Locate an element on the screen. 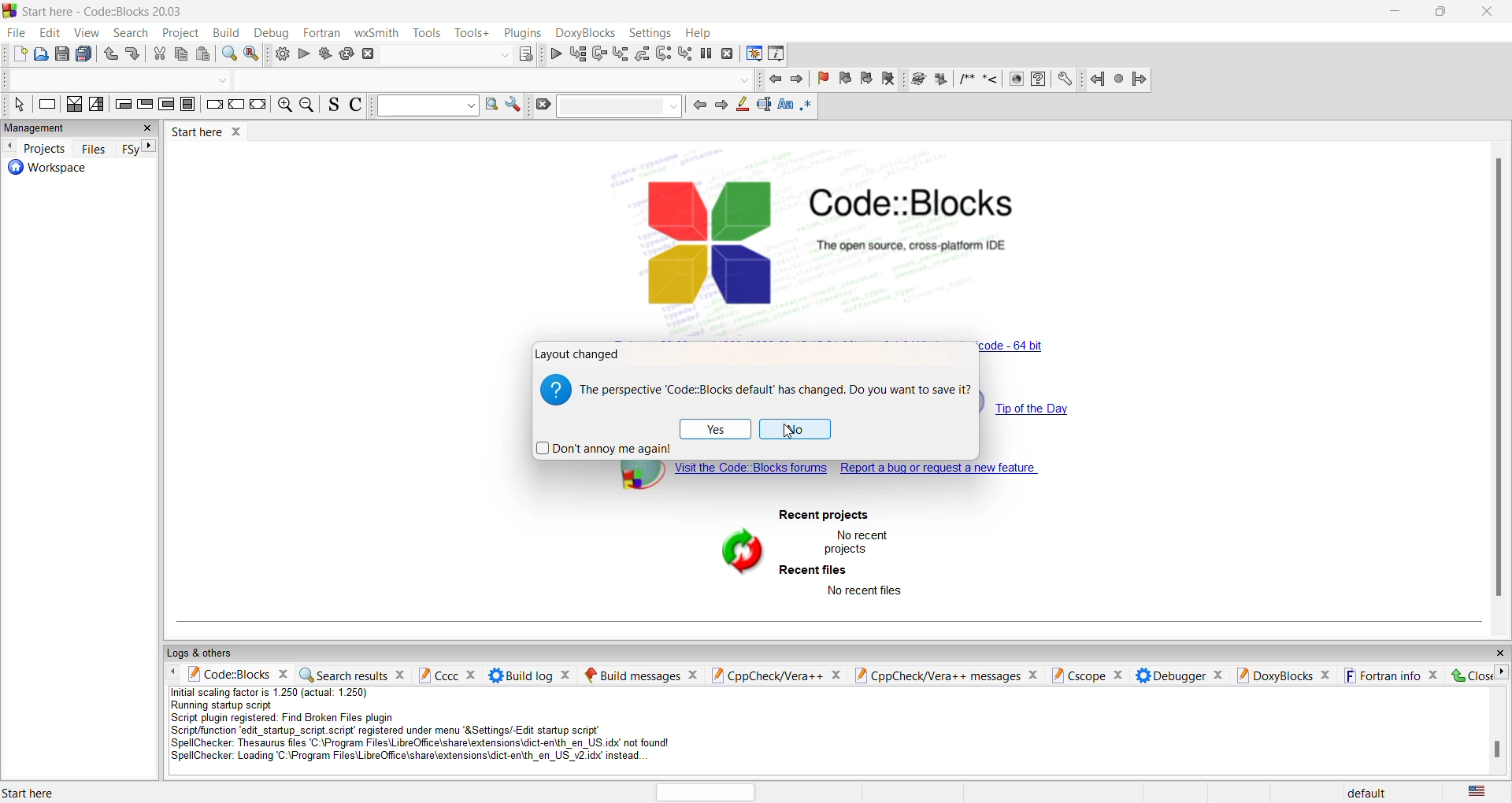 The width and height of the screenshot is (1512, 803). previous book mark is located at coordinates (843, 78).